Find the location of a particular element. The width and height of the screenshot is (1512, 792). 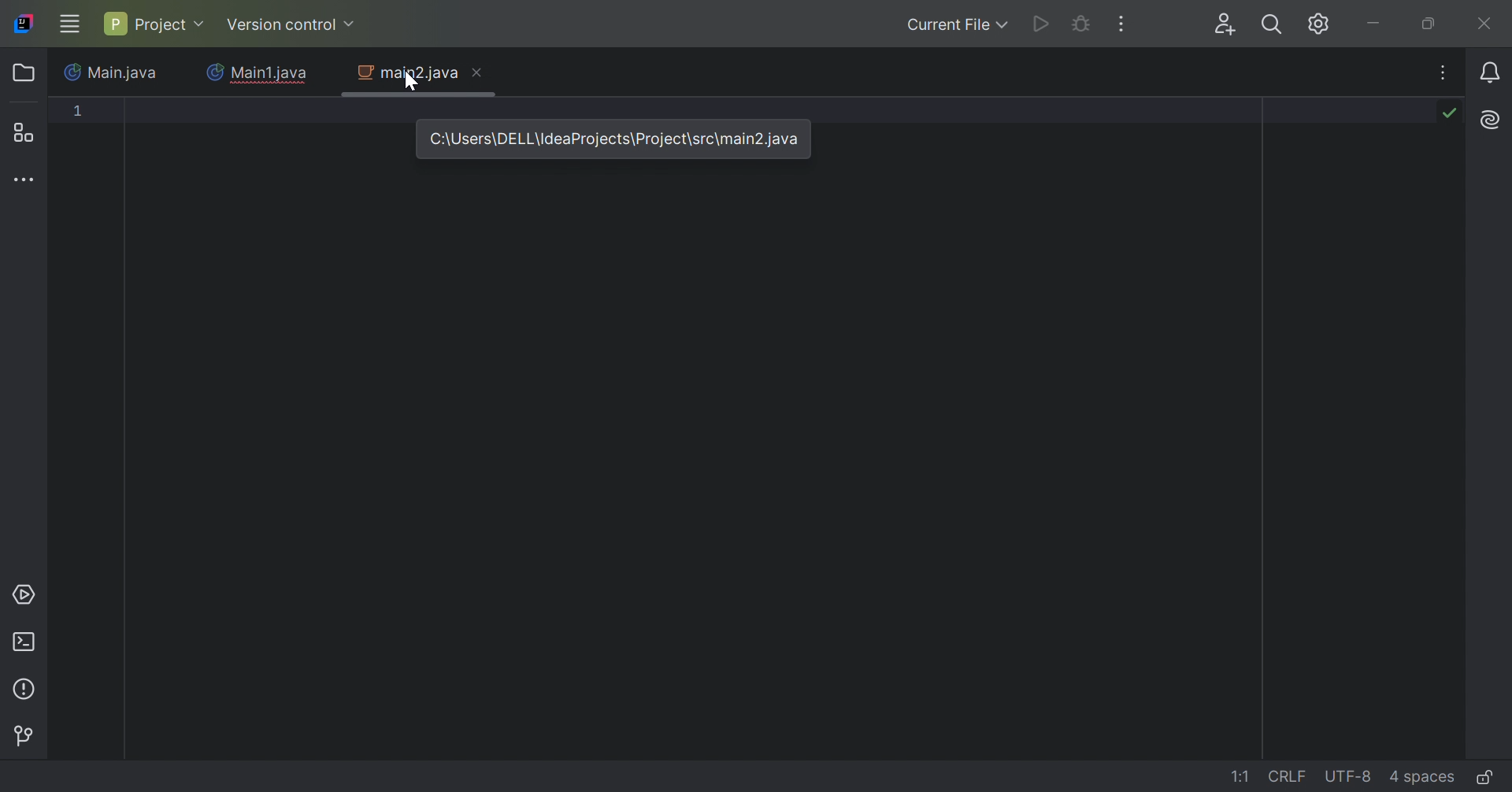

Debug is located at coordinates (1083, 24).